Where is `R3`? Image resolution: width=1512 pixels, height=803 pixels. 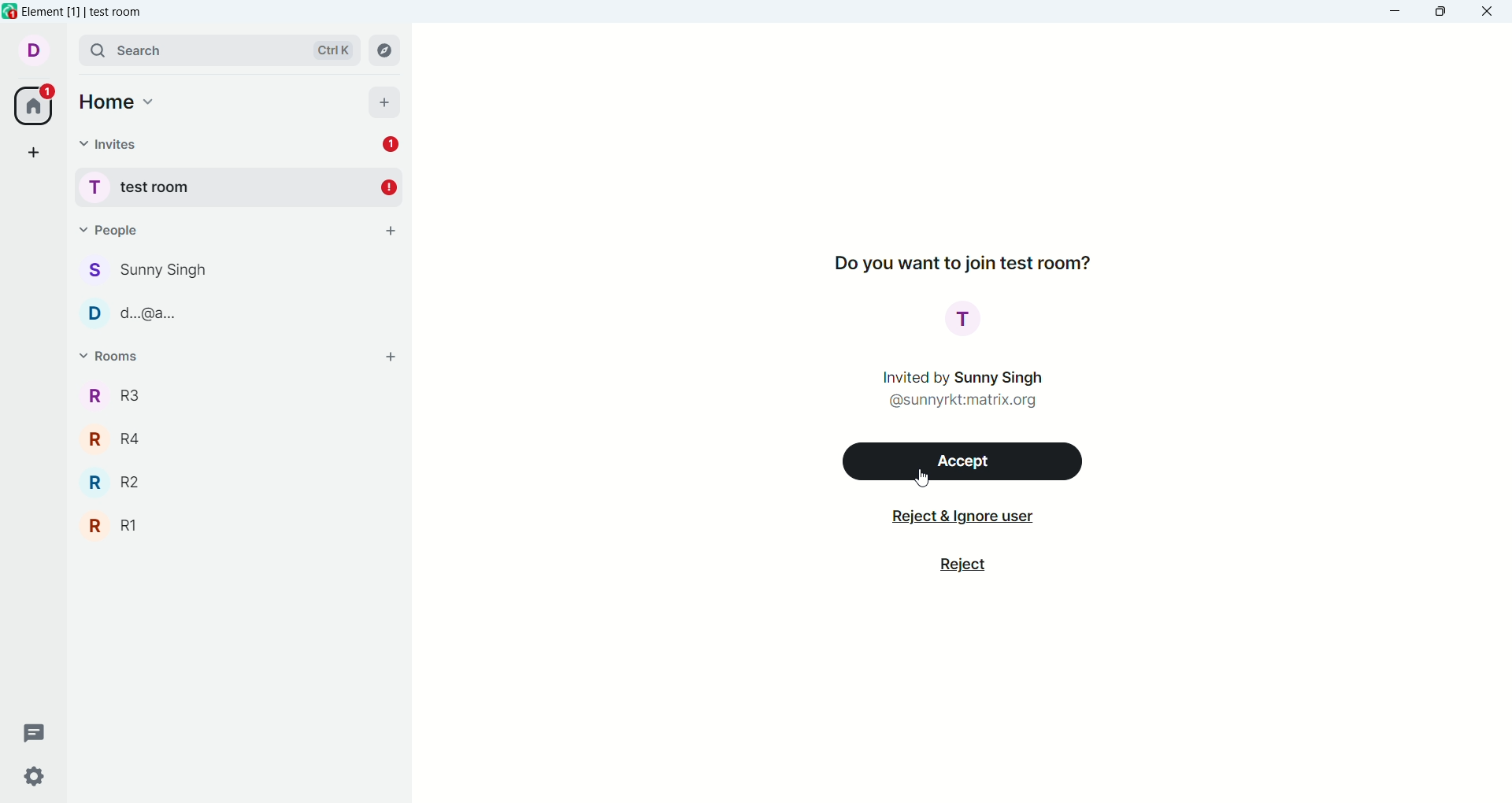 R3 is located at coordinates (236, 394).